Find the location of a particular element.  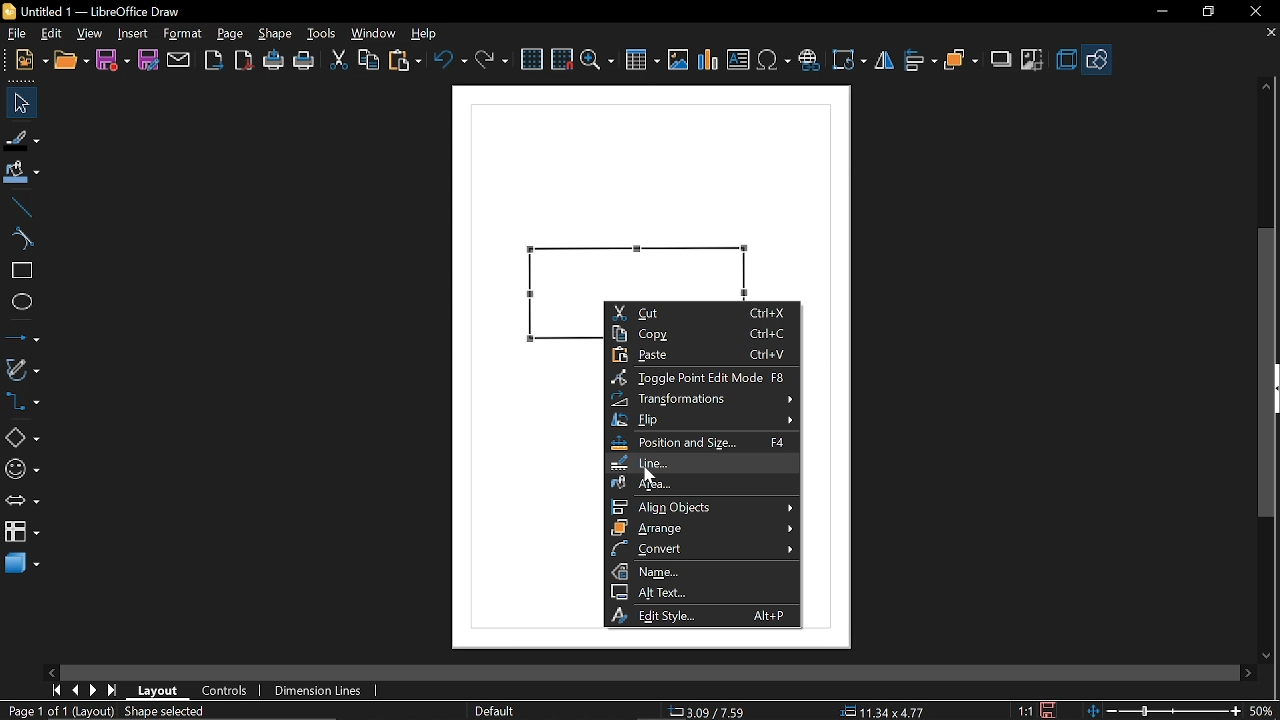

Page style (Default) is located at coordinates (495, 710).